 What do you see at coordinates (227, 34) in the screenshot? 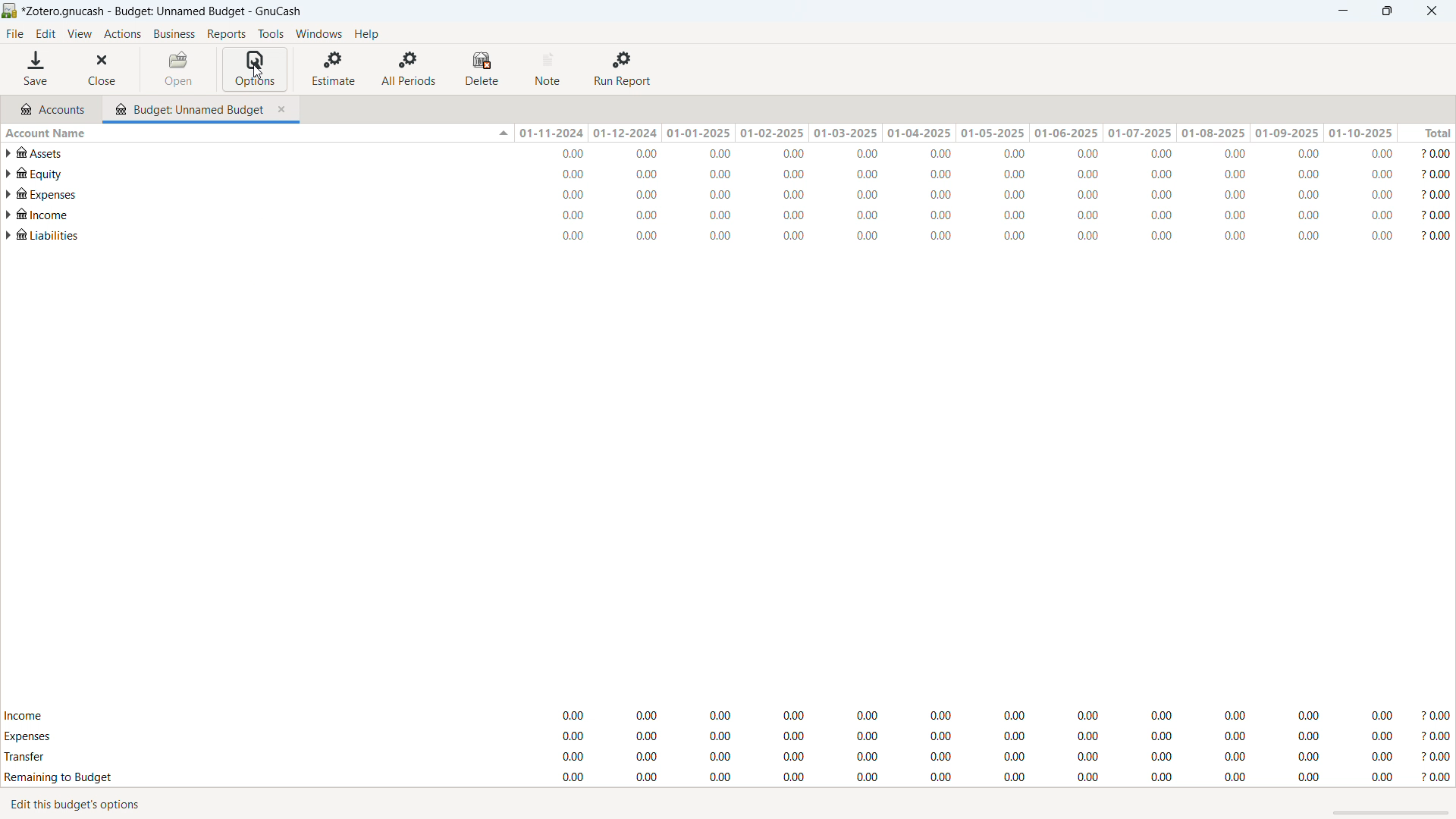
I see `reports` at bounding box center [227, 34].